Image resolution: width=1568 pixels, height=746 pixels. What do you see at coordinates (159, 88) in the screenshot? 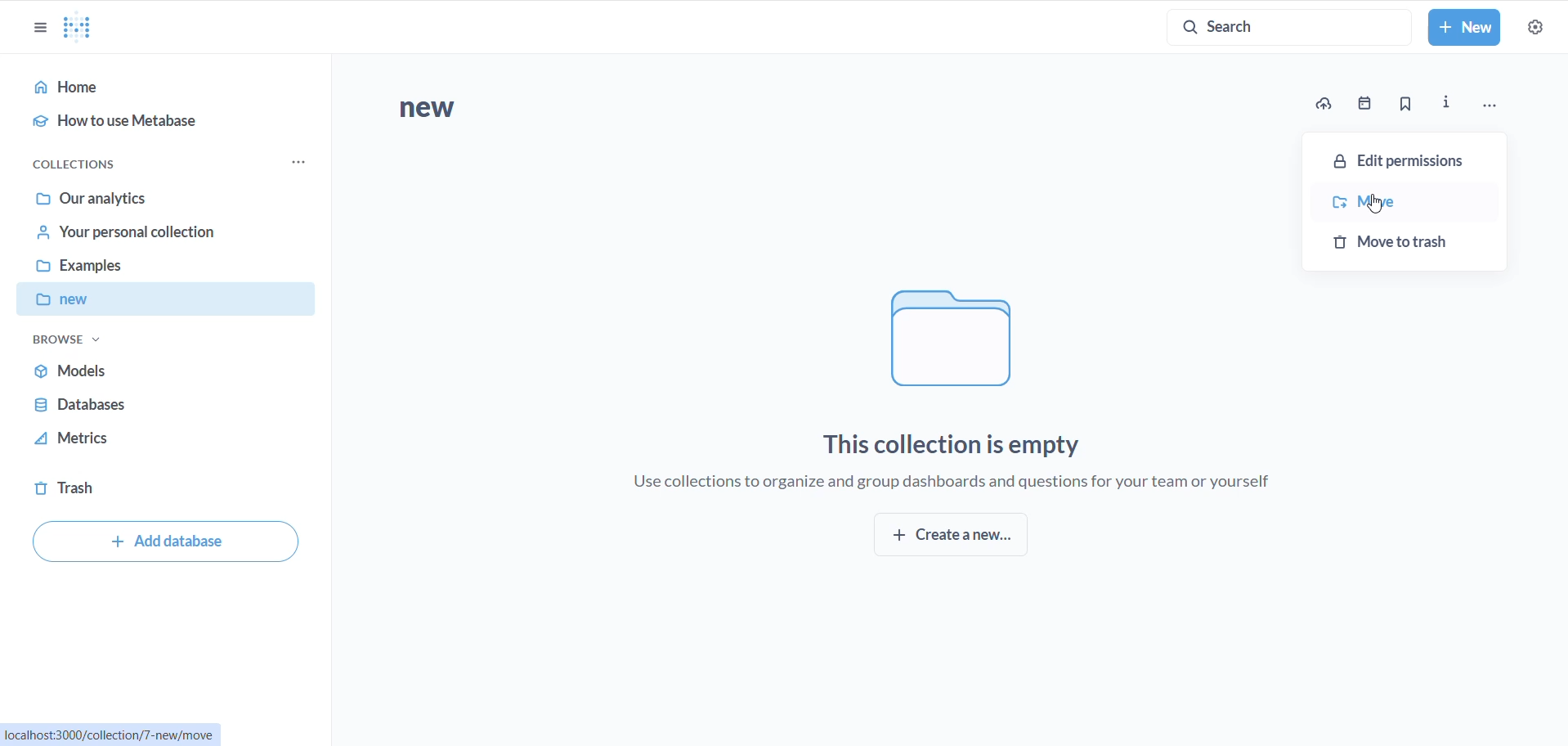
I see `home` at bounding box center [159, 88].